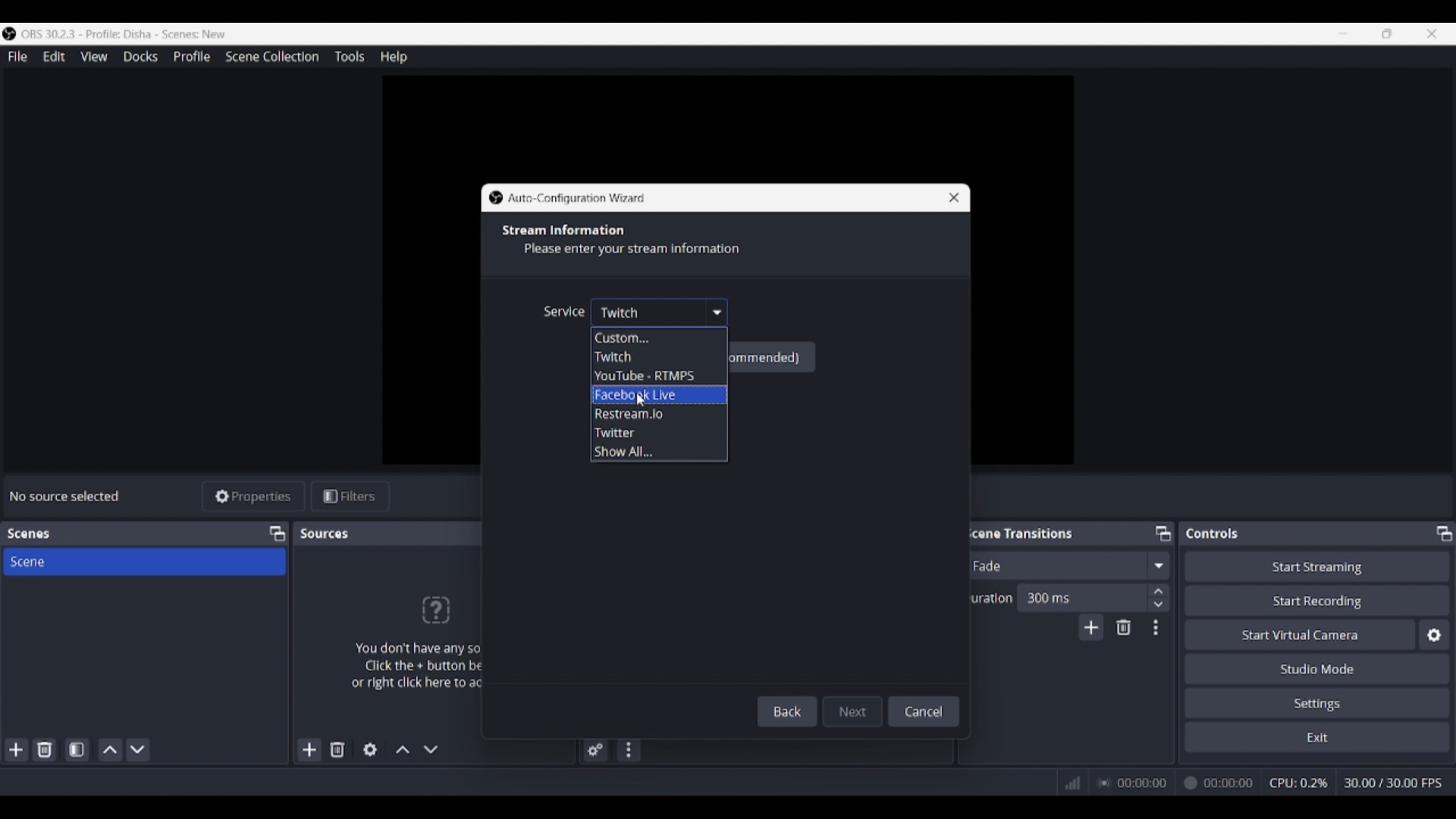  What do you see at coordinates (17, 750) in the screenshot?
I see `Add scene` at bounding box center [17, 750].